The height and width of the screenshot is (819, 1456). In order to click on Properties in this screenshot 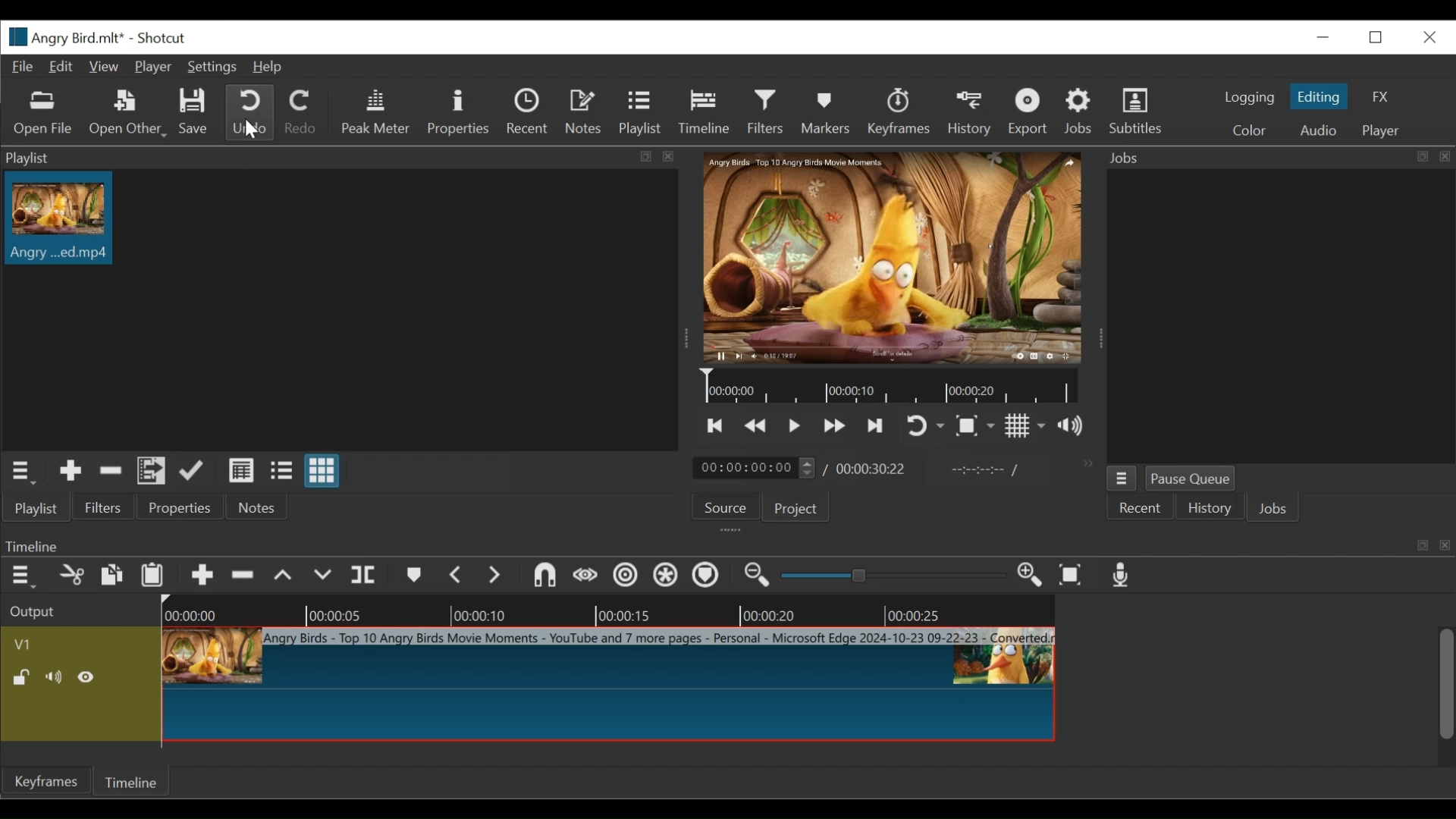, I will do `click(180, 506)`.